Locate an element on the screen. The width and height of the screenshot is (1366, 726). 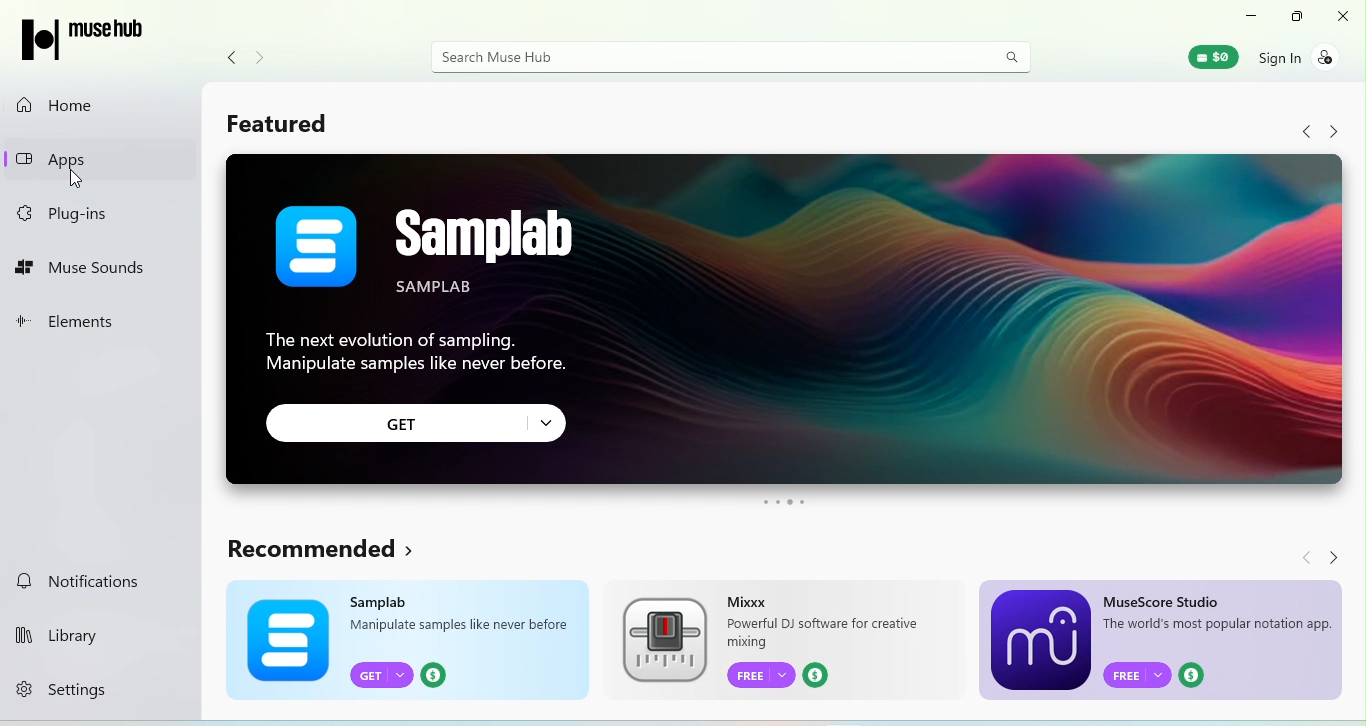
Minimize is located at coordinates (1244, 14).